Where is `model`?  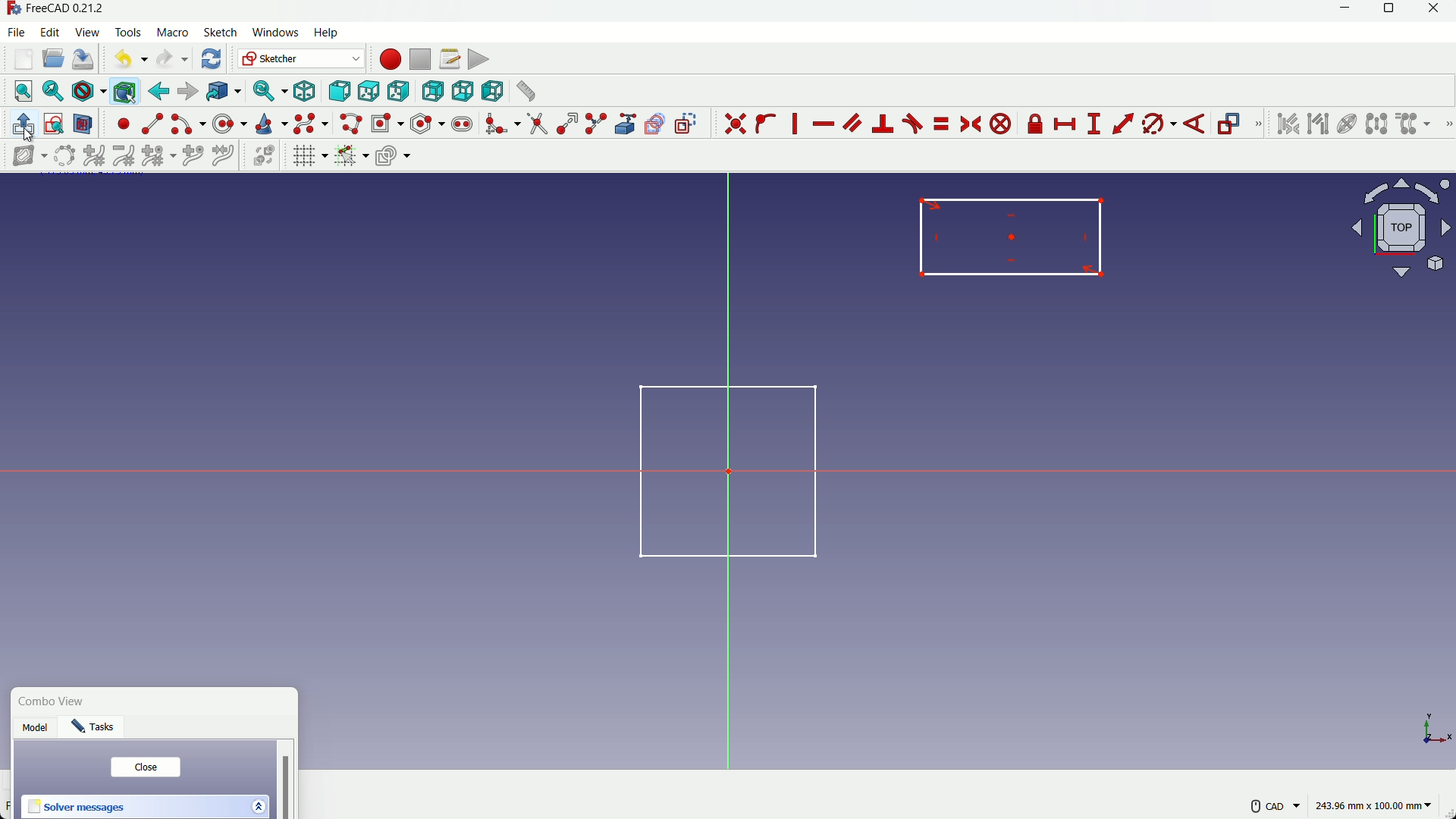
model is located at coordinates (37, 730).